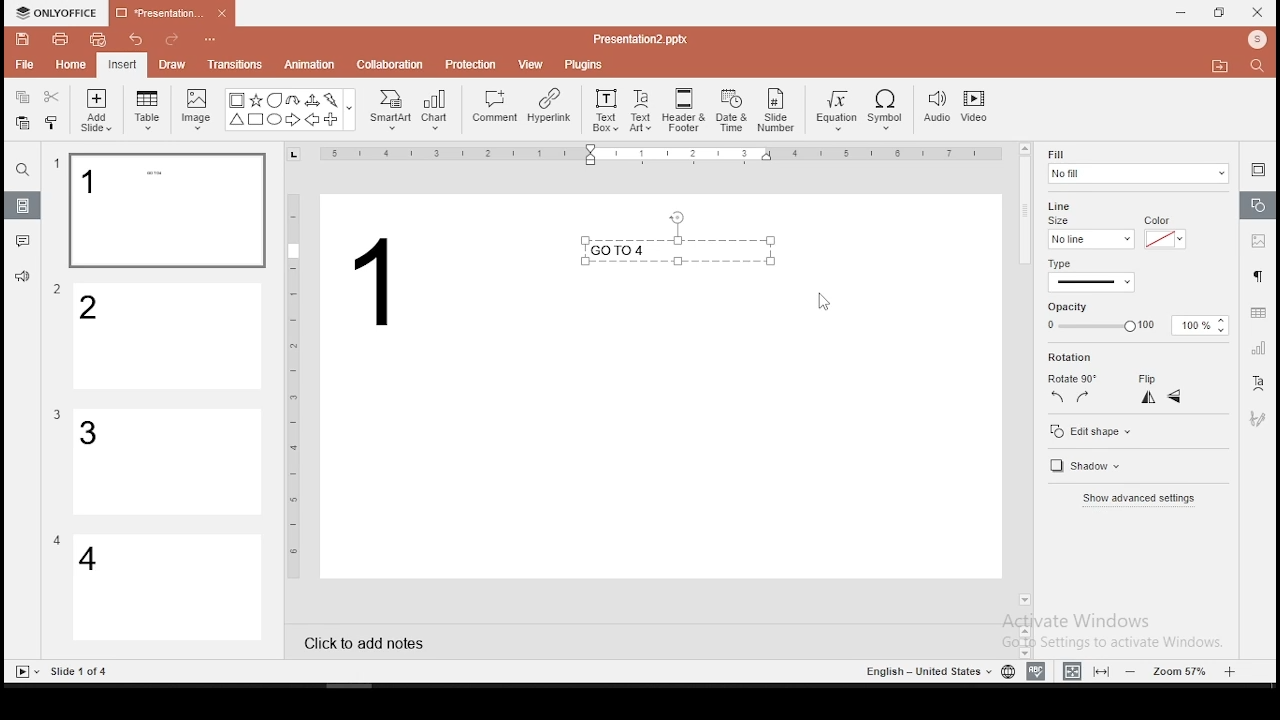 The width and height of the screenshot is (1280, 720). Describe the element at coordinates (237, 100) in the screenshot. I see `Bordered Box` at that location.